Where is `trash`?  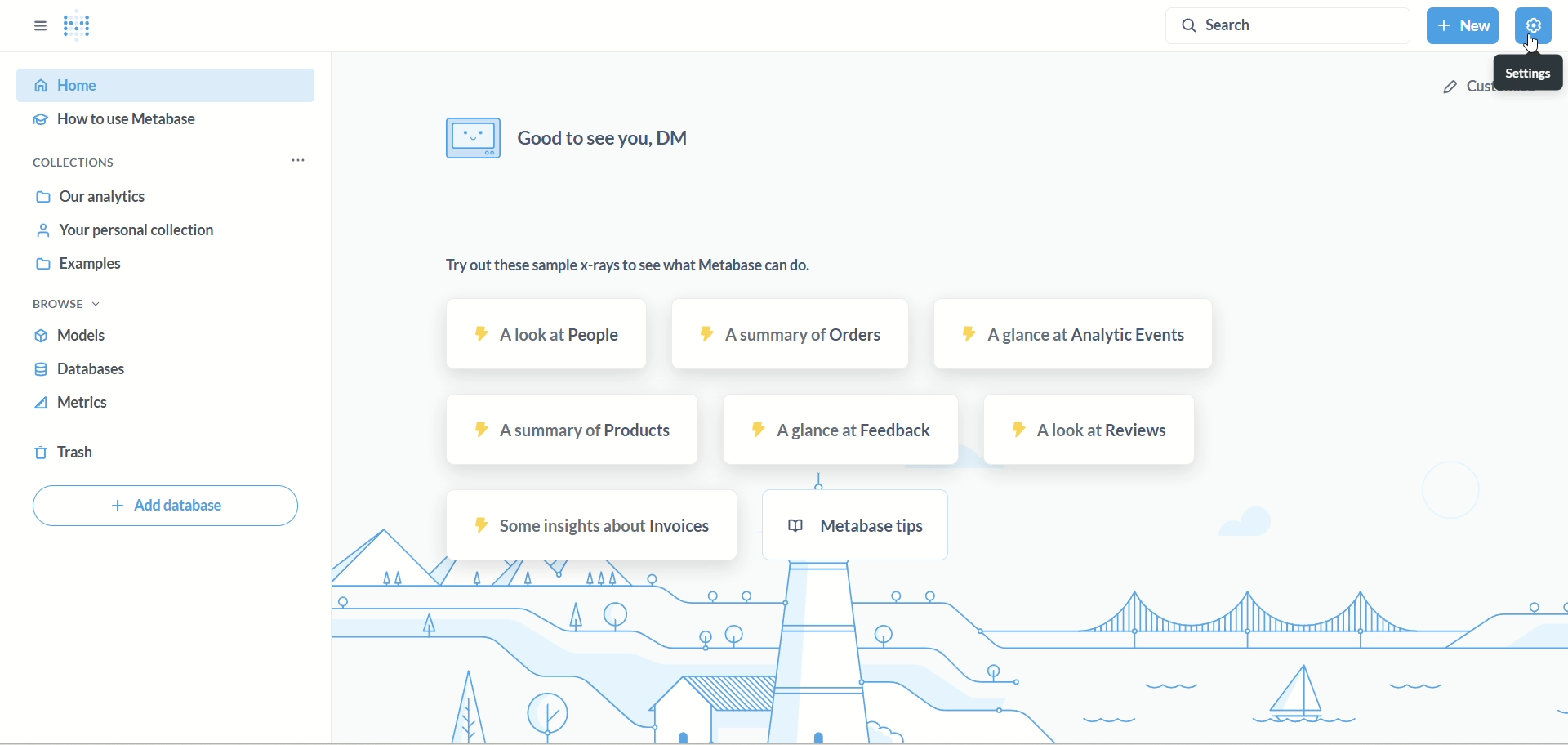
trash is located at coordinates (65, 456).